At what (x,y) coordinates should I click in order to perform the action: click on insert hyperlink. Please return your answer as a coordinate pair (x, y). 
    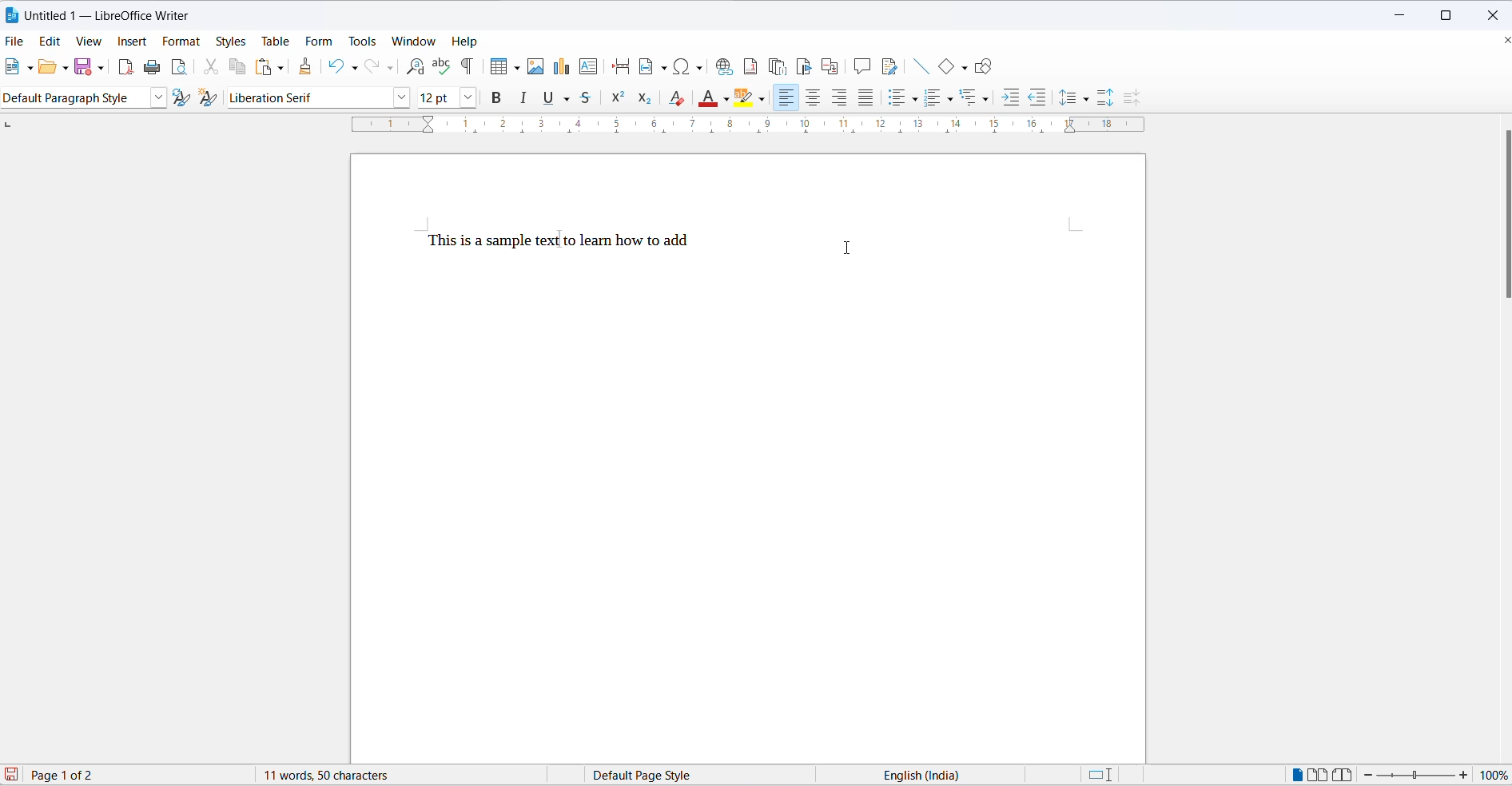
    Looking at the image, I should click on (726, 67).